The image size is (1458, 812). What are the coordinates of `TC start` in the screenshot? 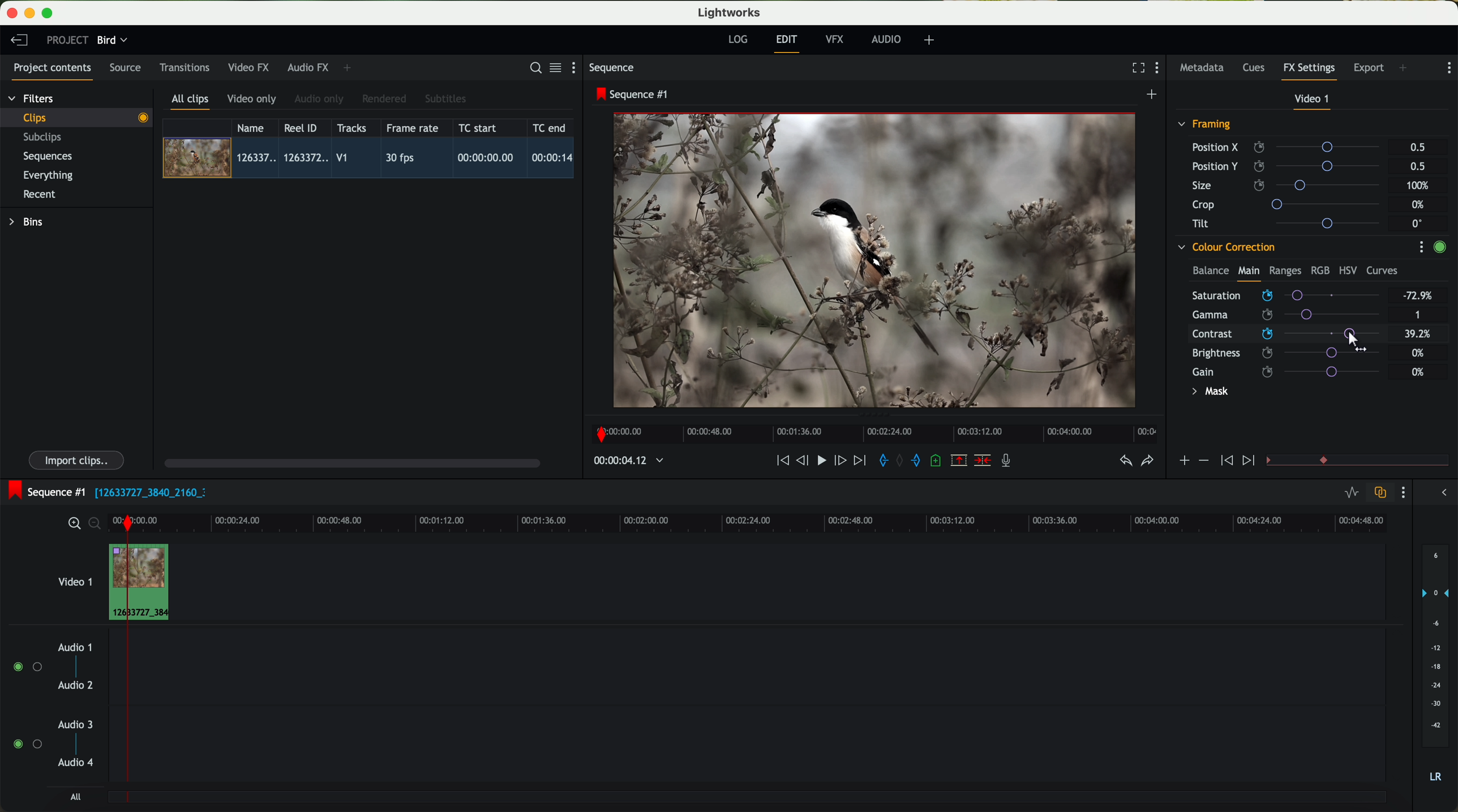 It's located at (479, 127).